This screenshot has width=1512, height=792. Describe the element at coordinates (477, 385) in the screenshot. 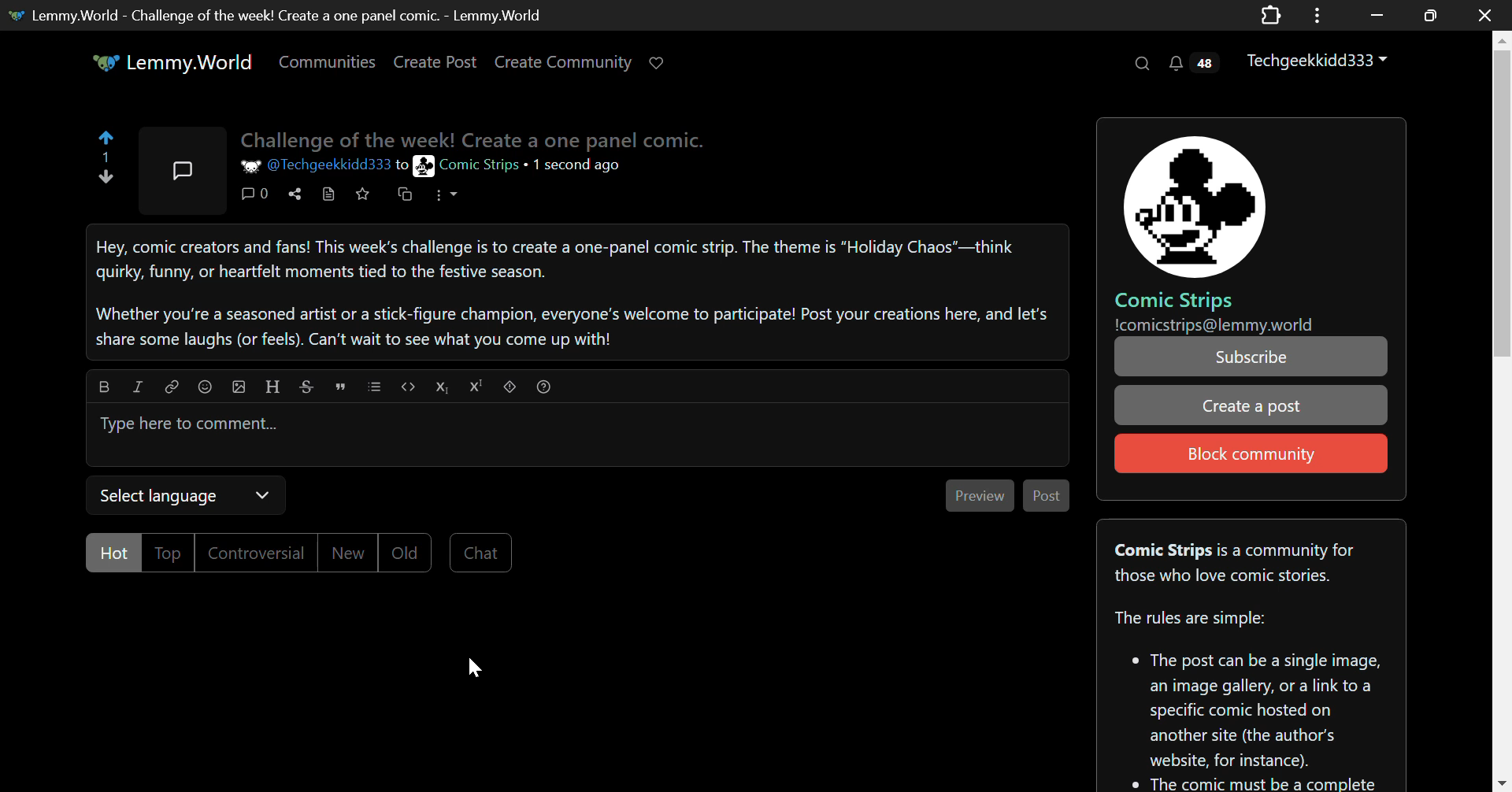

I see `Superscript` at that location.